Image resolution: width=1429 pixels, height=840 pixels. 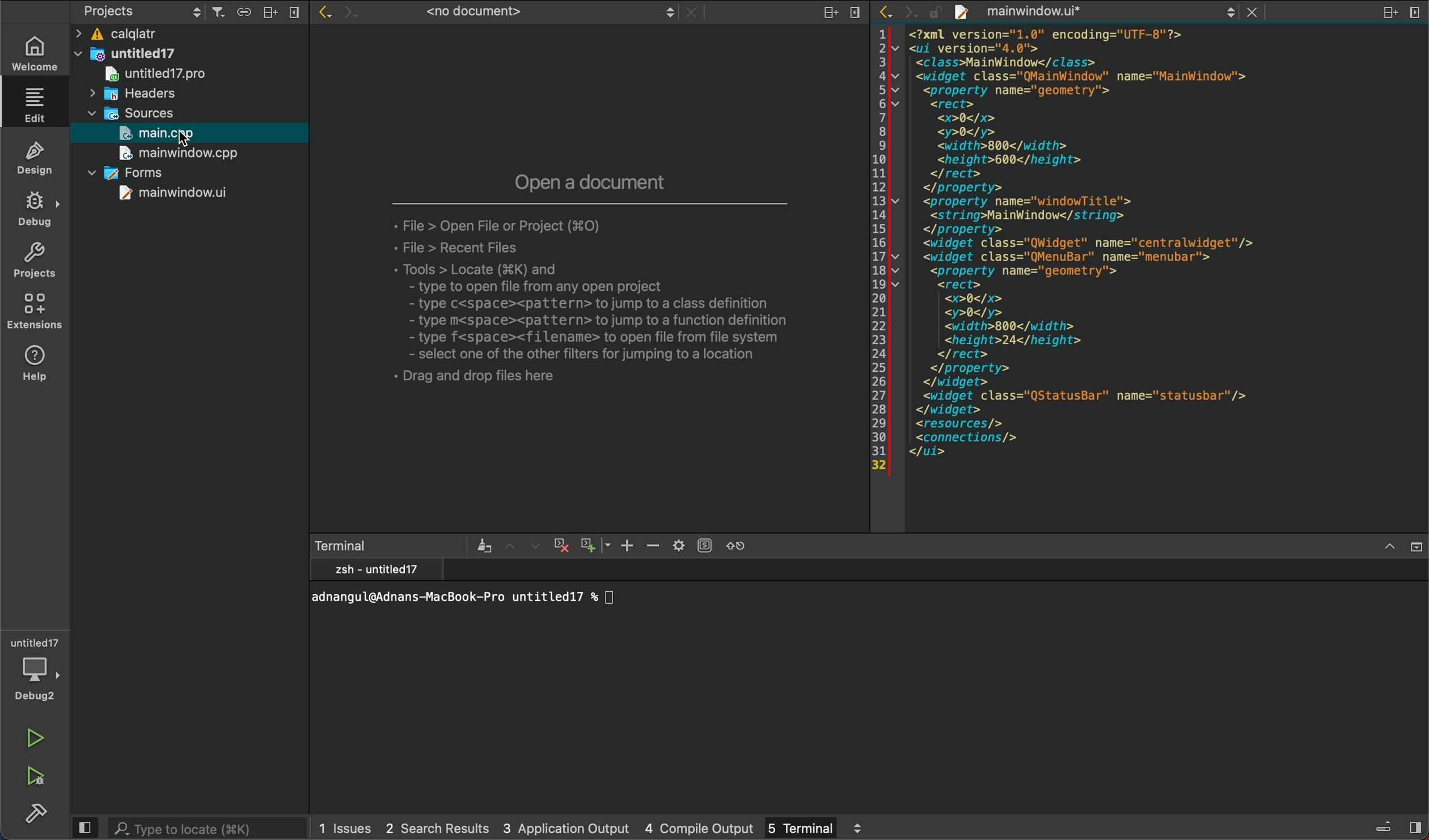 I want to click on search results, so click(x=437, y=828).